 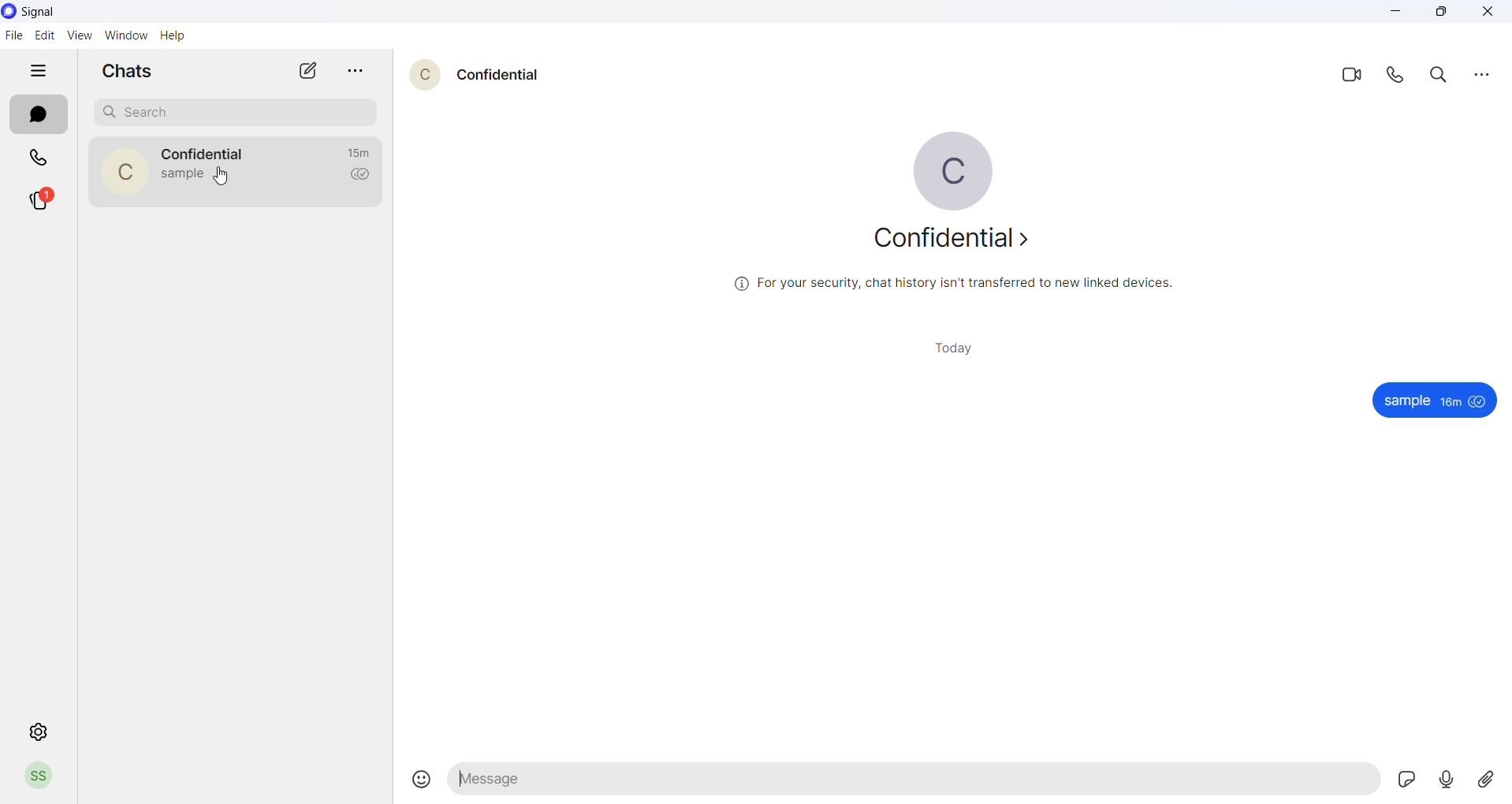 I want to click on settings , so click(x=35, y=731).